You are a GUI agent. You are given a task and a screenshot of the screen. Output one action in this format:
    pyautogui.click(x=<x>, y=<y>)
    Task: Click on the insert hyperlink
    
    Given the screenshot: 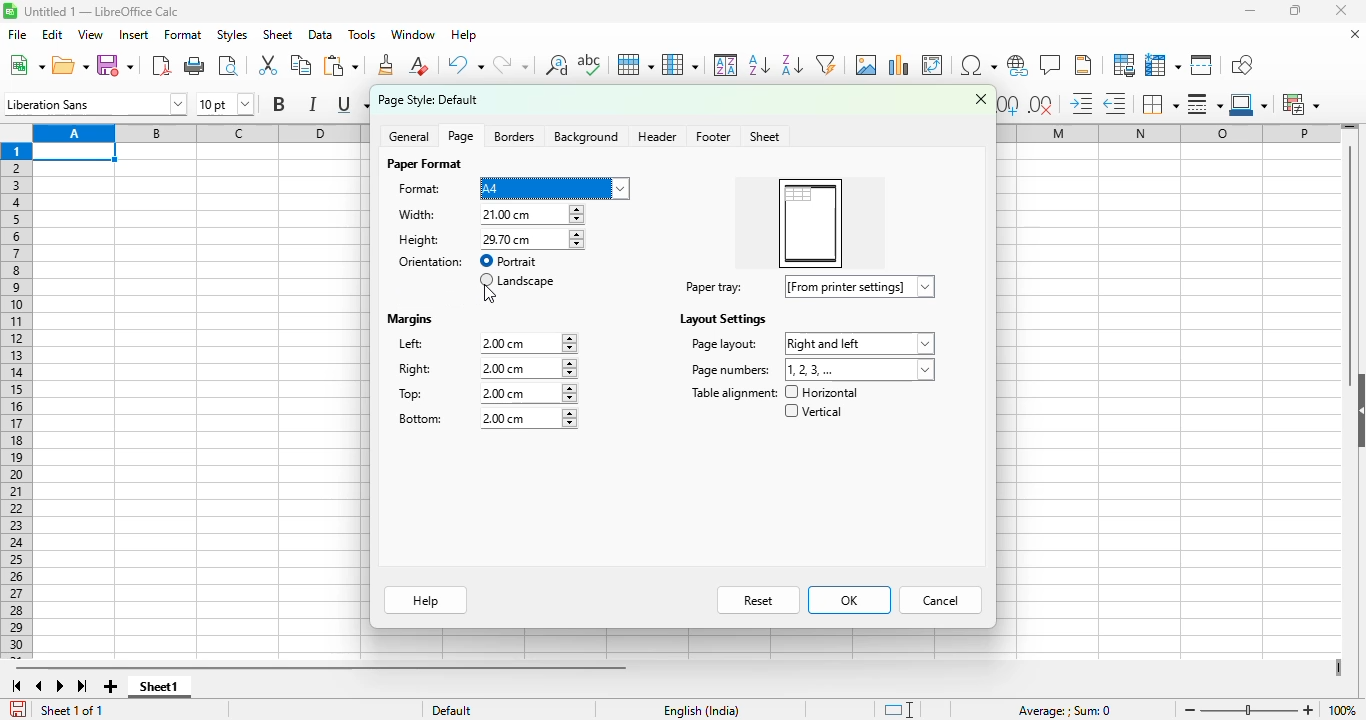 What is the action you would take?
    pyautogui.click(x=1019, y=65)
    